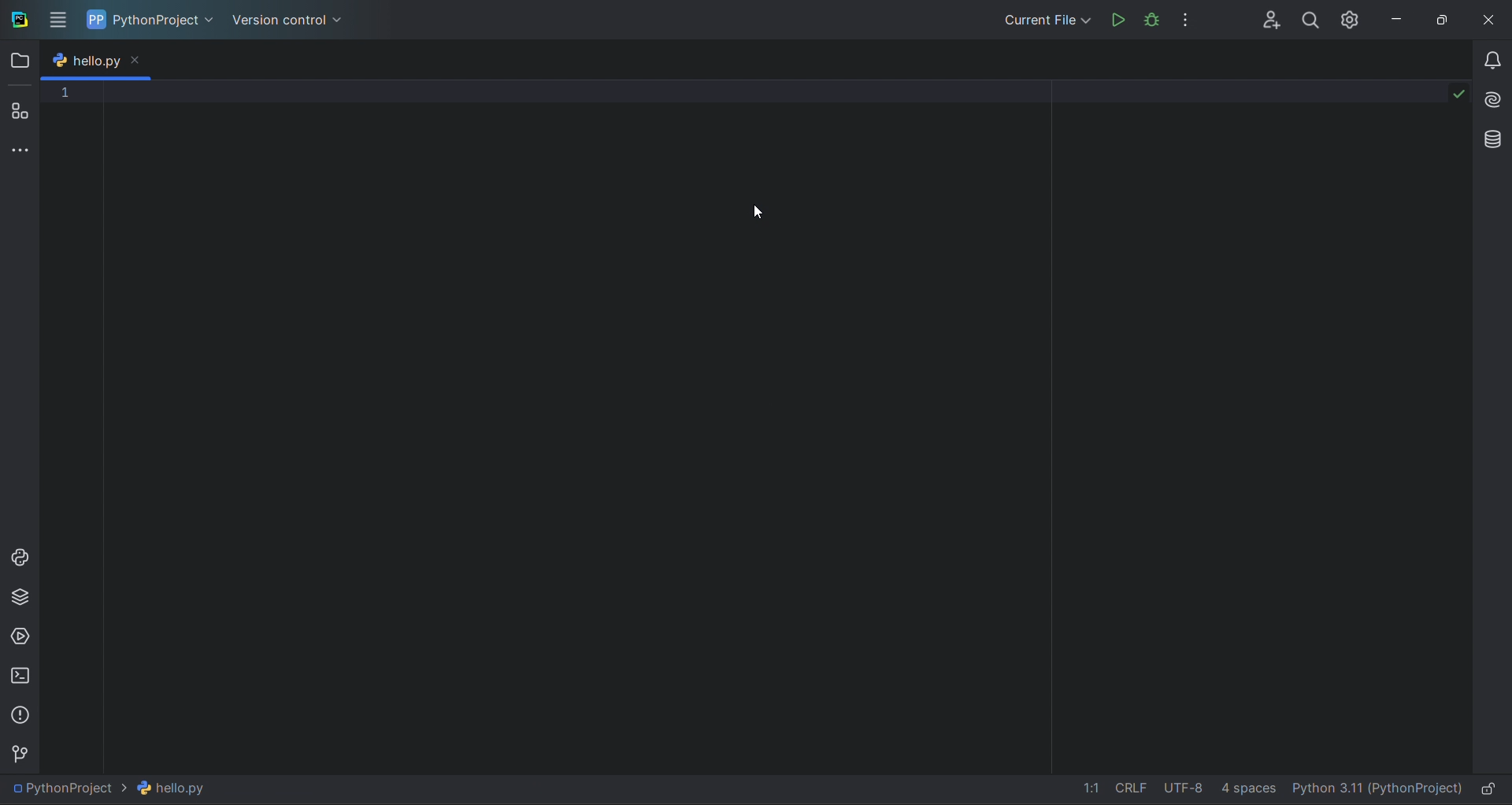  I want to click on close, so click(139, 62).